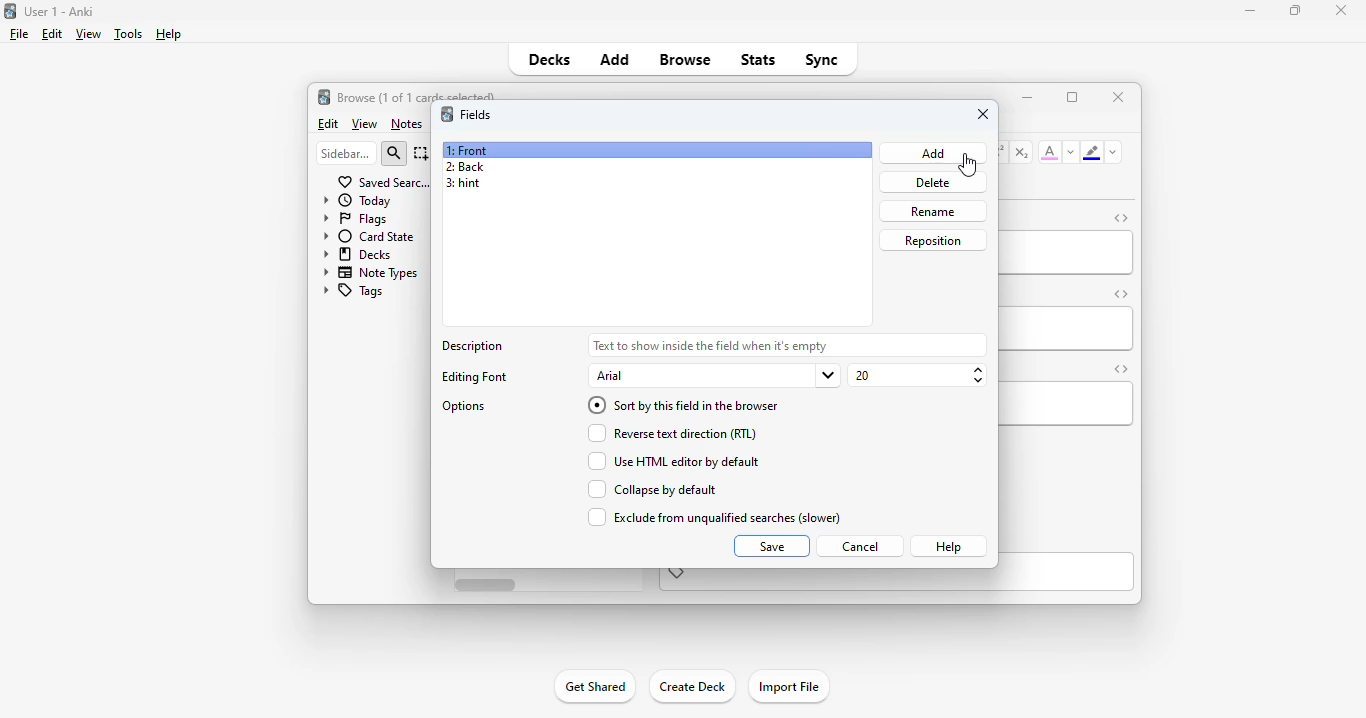 This screenshot has width=1366, height=718. What do you see at coordinates (1120, 369) in the screenshot?
I see `toggle HTML editor` at bounding box center [1120, 369].